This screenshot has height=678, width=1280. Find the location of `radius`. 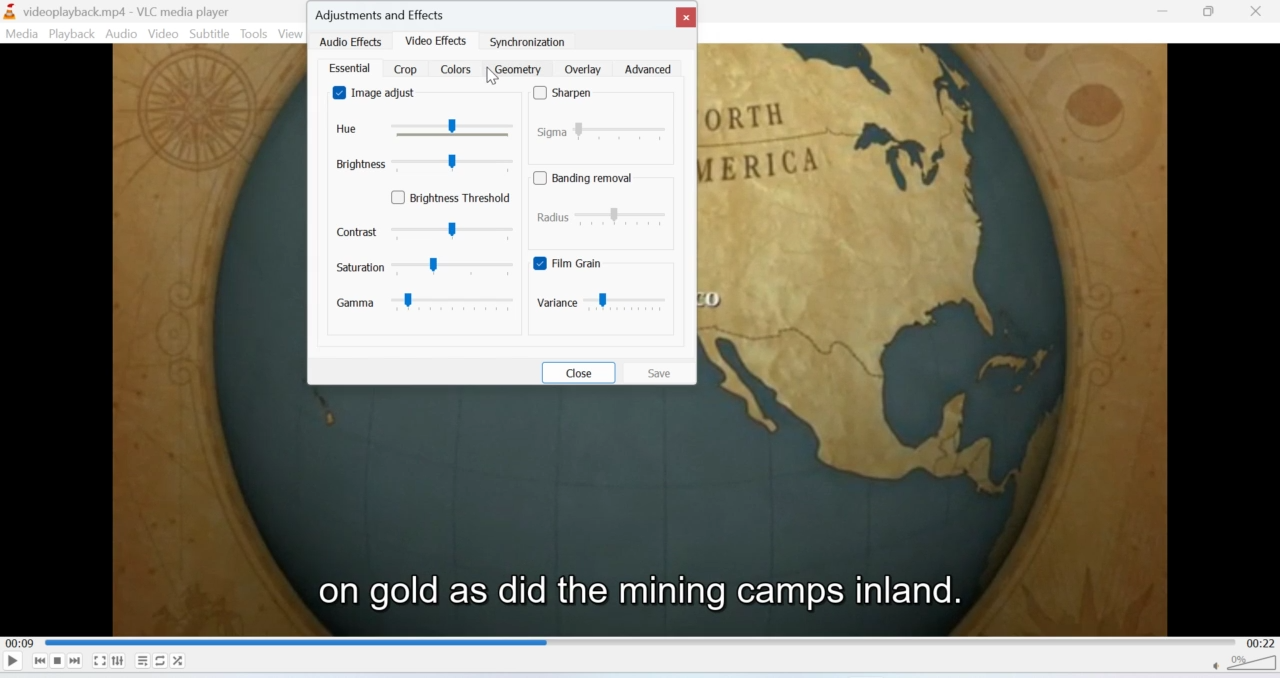

radius is located at coordinates (603, 220).